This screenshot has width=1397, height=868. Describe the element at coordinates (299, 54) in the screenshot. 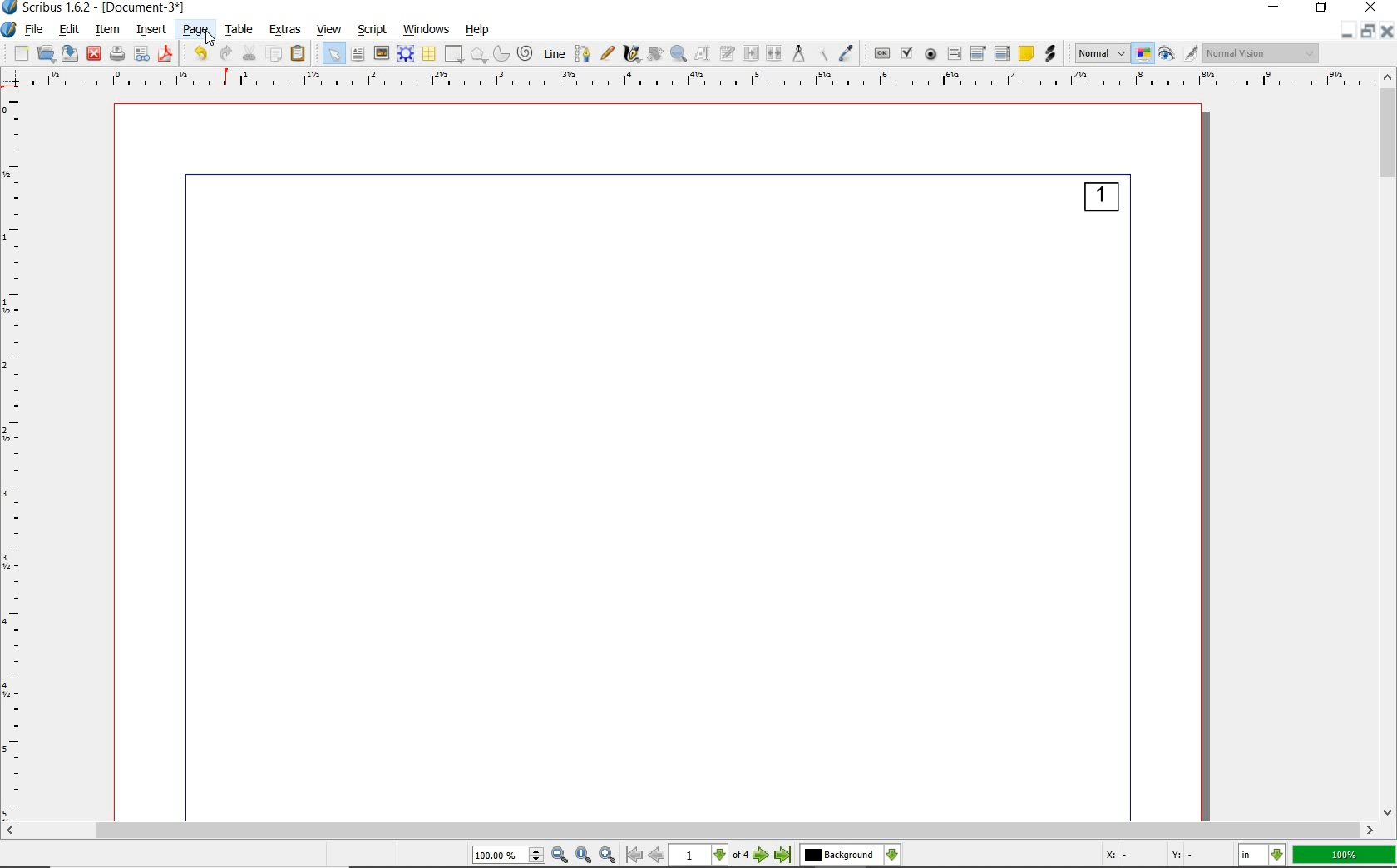

I see `paste` at that location.